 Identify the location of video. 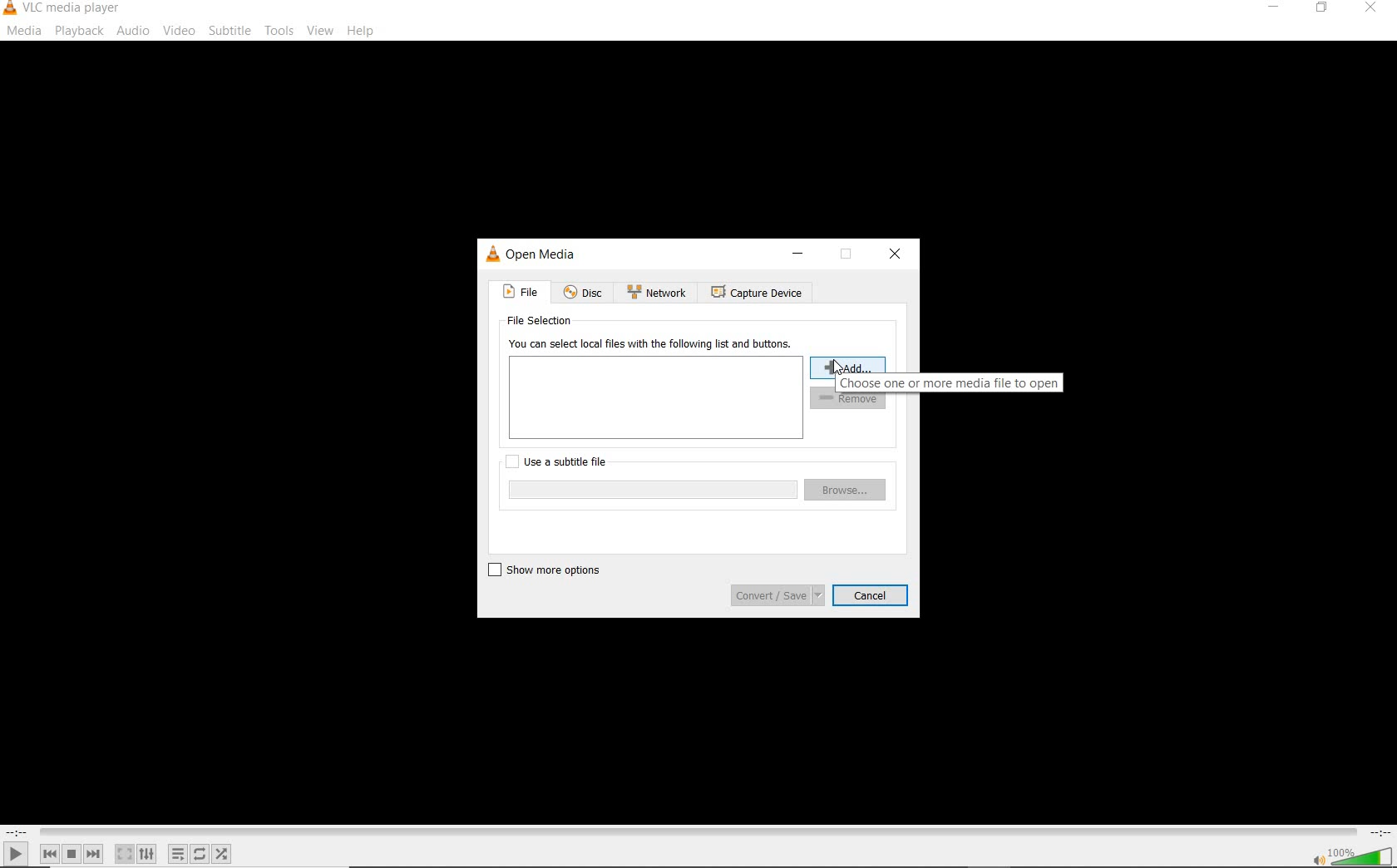
(179, 31).